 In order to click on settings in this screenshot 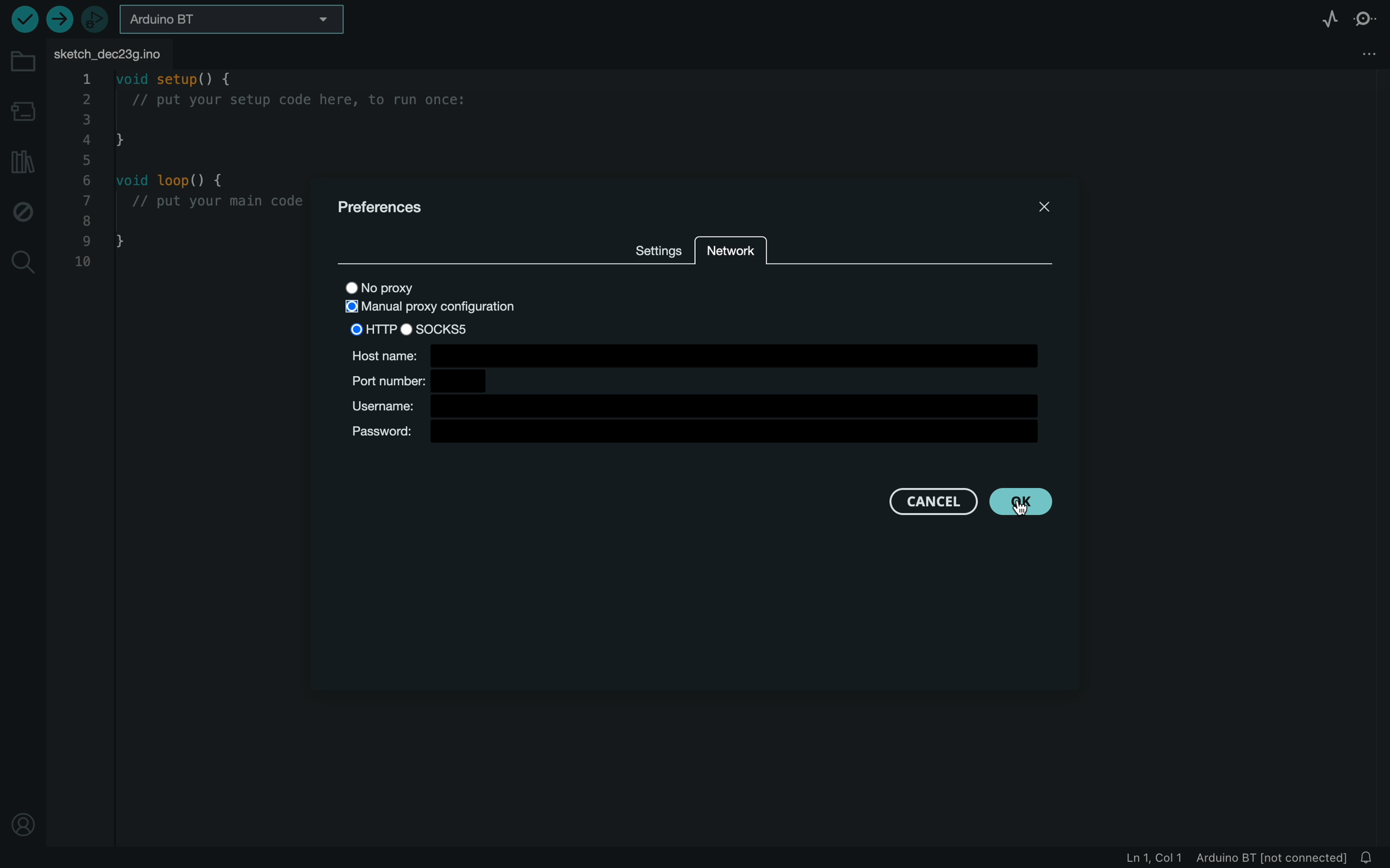, I will do `click(658, 251)`.